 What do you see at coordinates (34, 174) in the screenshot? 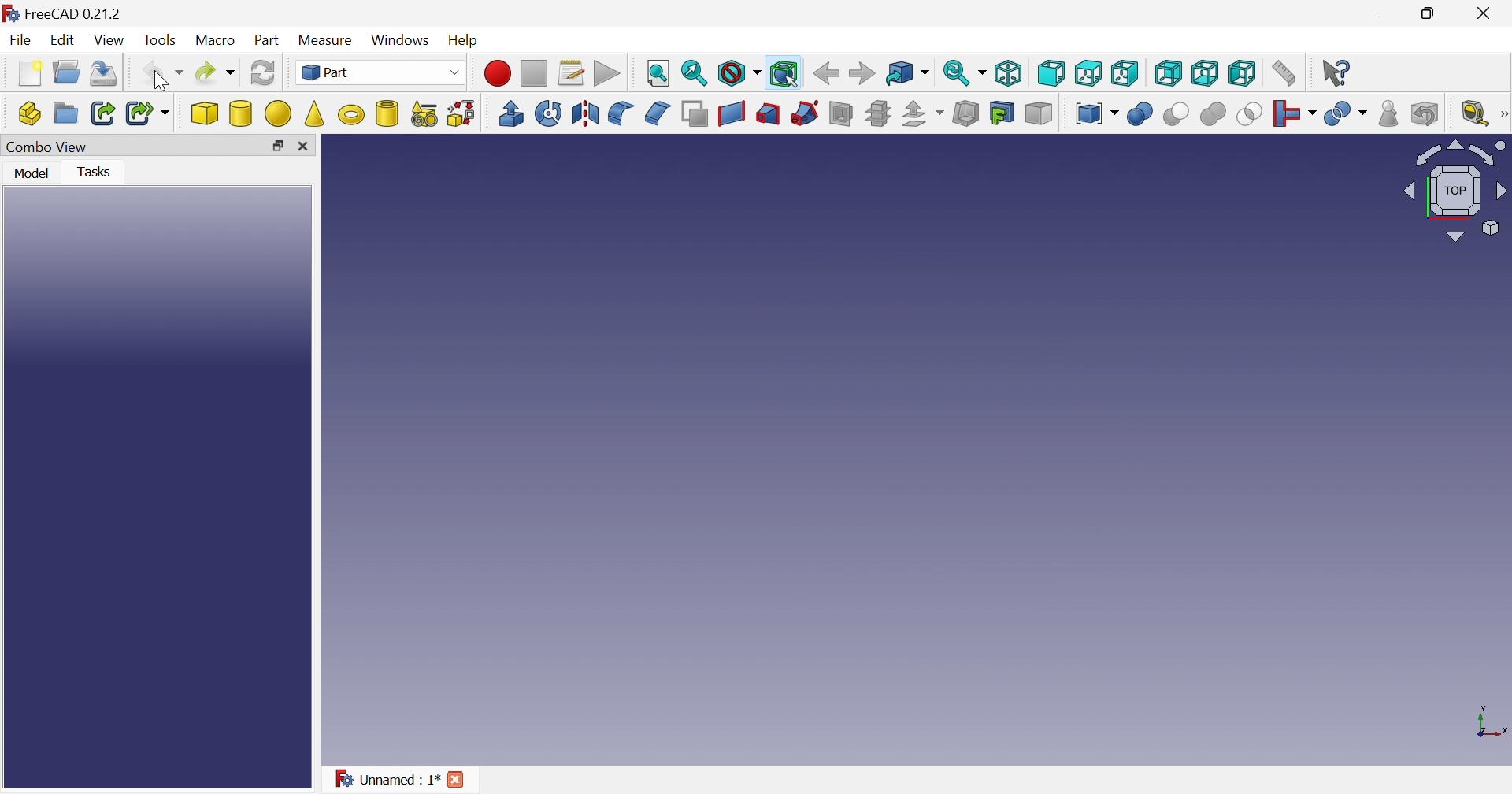
I see `Model` at bounding box center [34, 174].